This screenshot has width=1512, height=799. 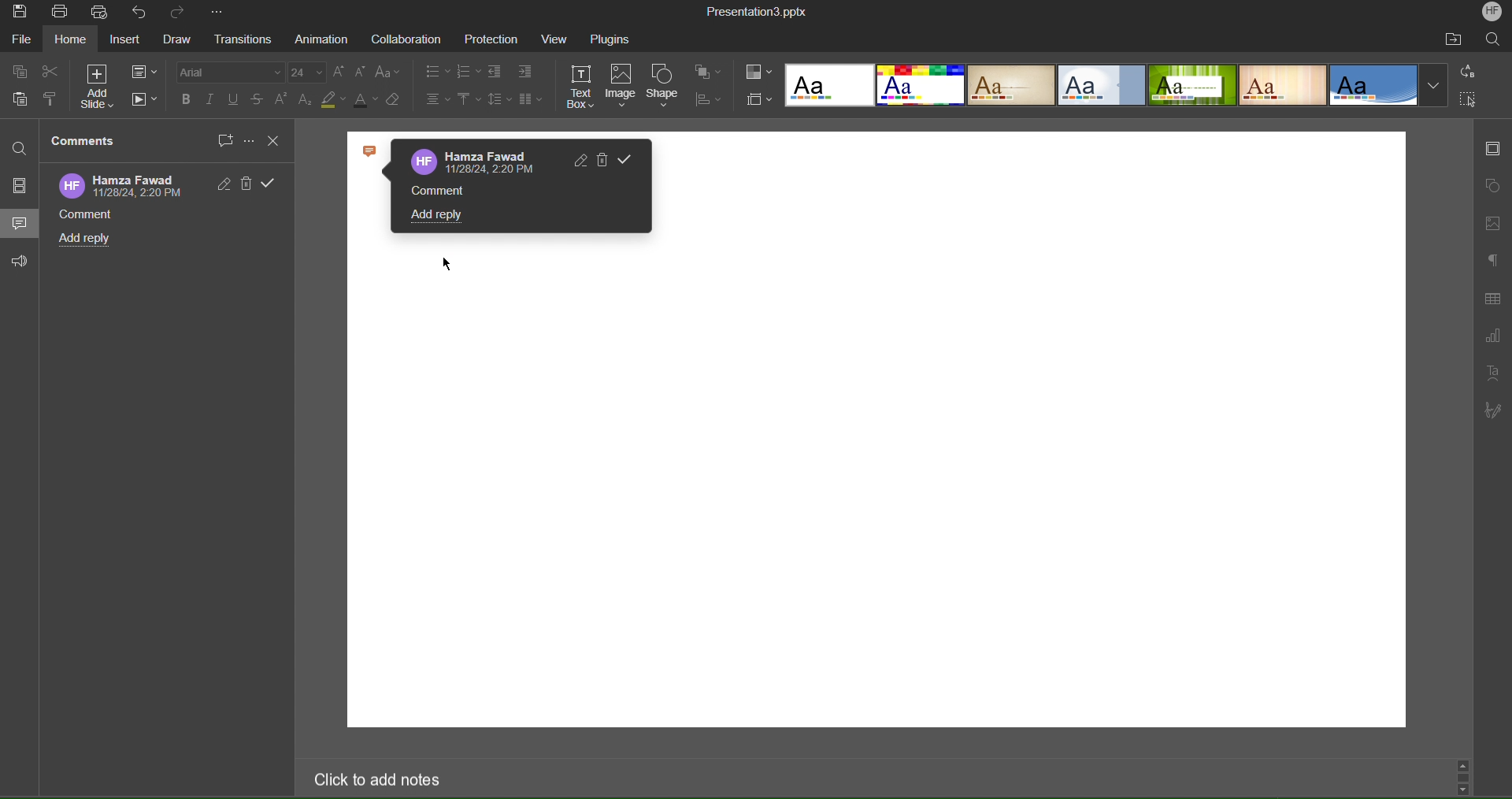 What do you see at coordinates (246, 139) in the screenshot?
I see `More` at bounding box center [246, 139].